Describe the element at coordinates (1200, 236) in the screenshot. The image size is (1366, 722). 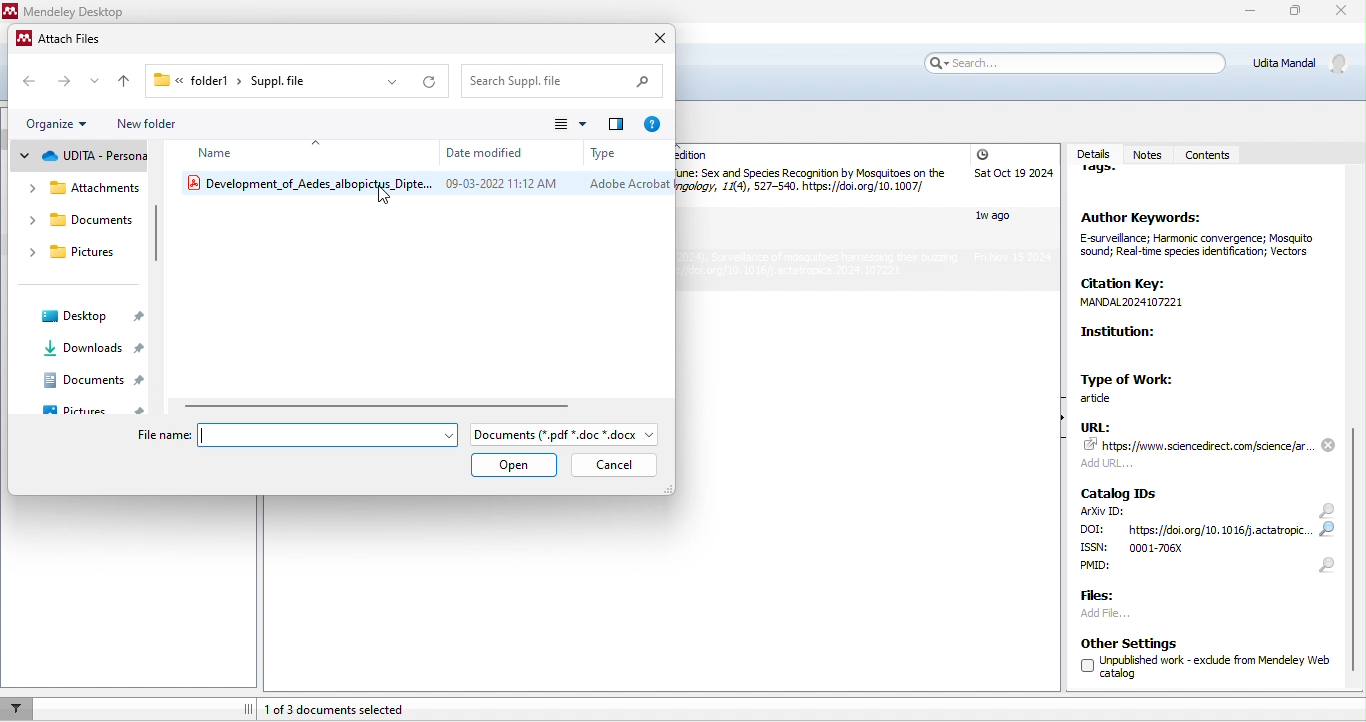
I see `Author Keywords:
Esurvellance; Harmonic convergence; Mosauto
Sound; Real-tme speces enticaton; Vectors` at that location.